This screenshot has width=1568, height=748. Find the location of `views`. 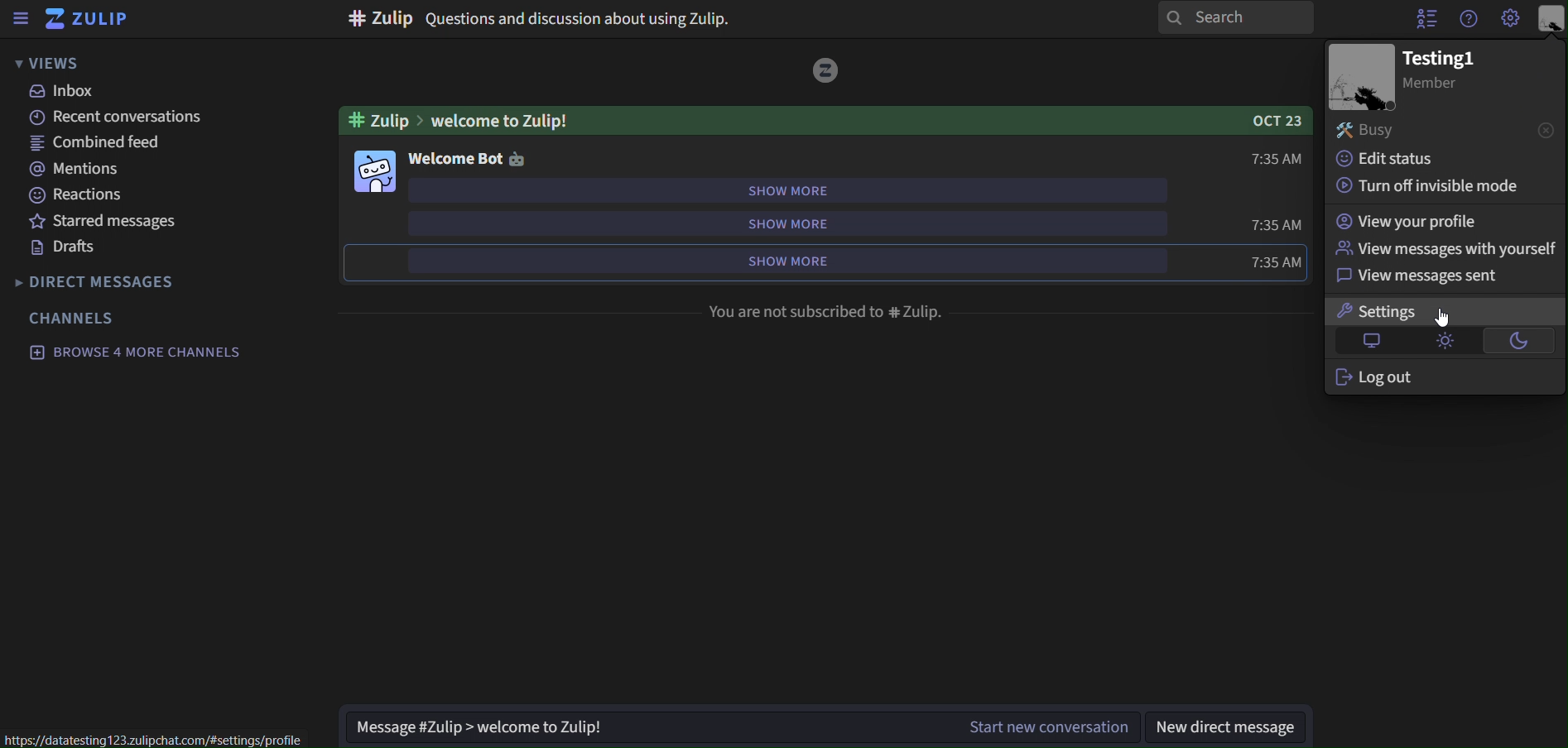

views is located at coordinates (58, 63).